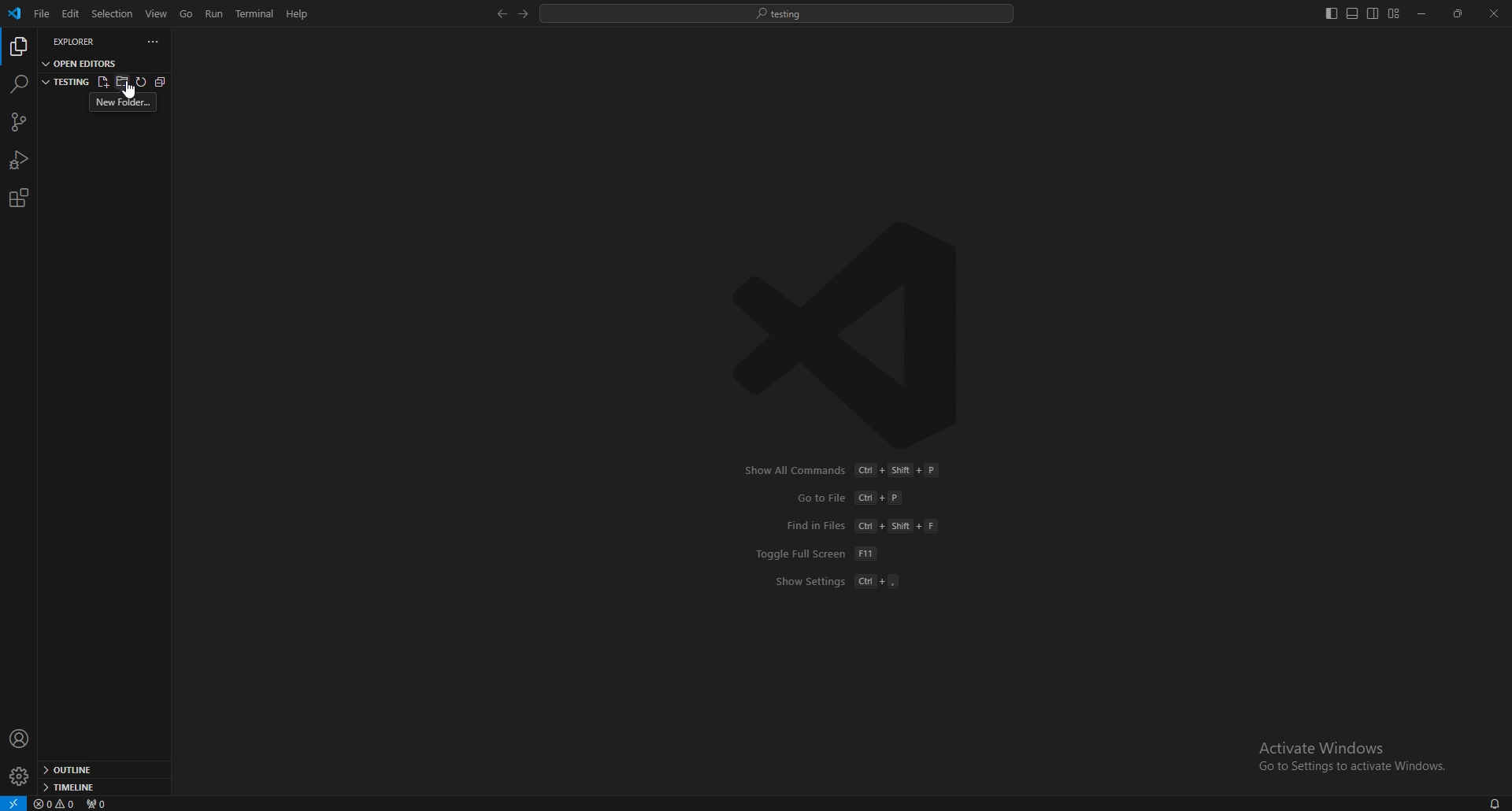 This screenshot has width=1512, height=811. I want to click on timeline, so click(99, 787).